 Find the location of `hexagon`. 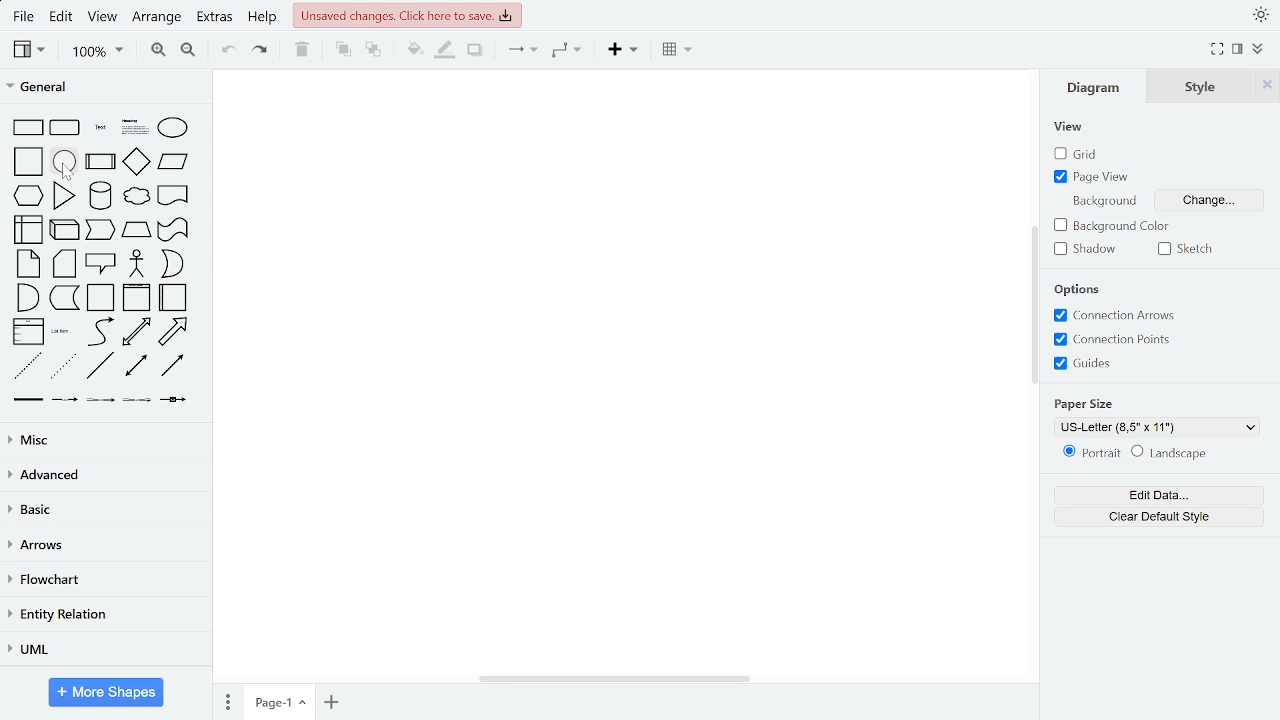

hexagon is located at coordinates (28, 196).